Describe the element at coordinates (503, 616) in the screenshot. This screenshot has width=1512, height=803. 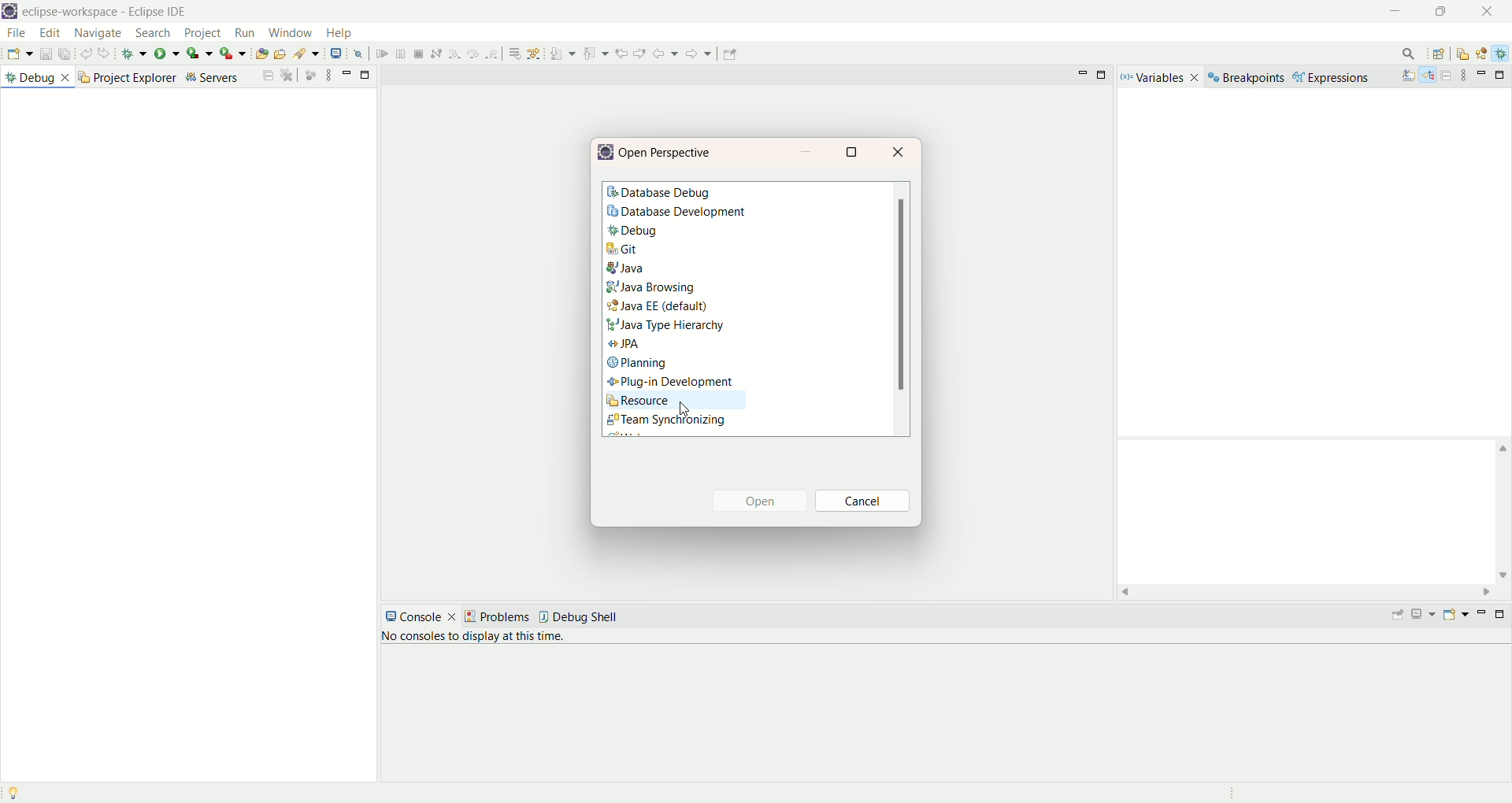
I see `problems` at that location.